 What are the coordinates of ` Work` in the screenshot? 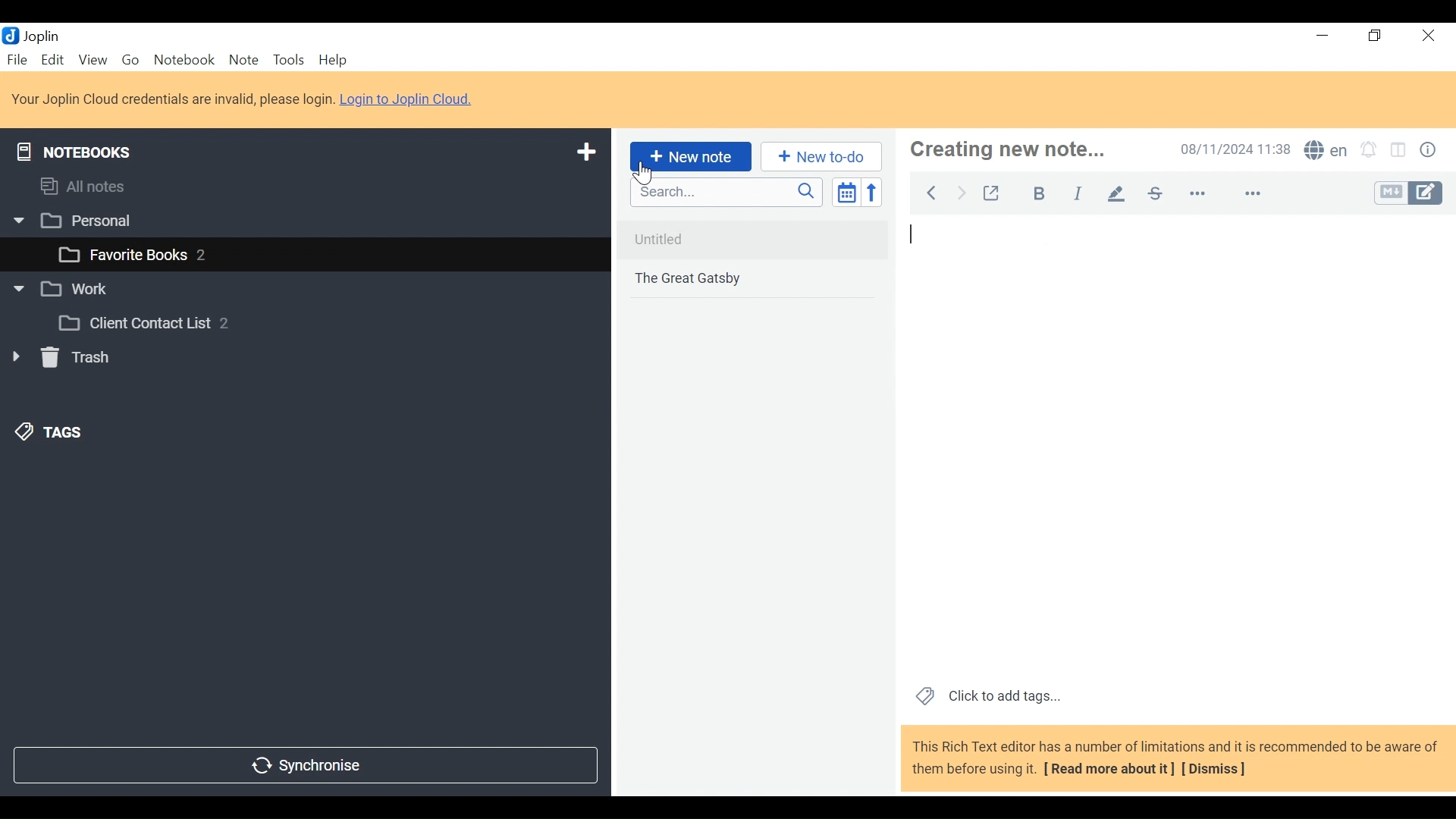 It's located at (60, 285).